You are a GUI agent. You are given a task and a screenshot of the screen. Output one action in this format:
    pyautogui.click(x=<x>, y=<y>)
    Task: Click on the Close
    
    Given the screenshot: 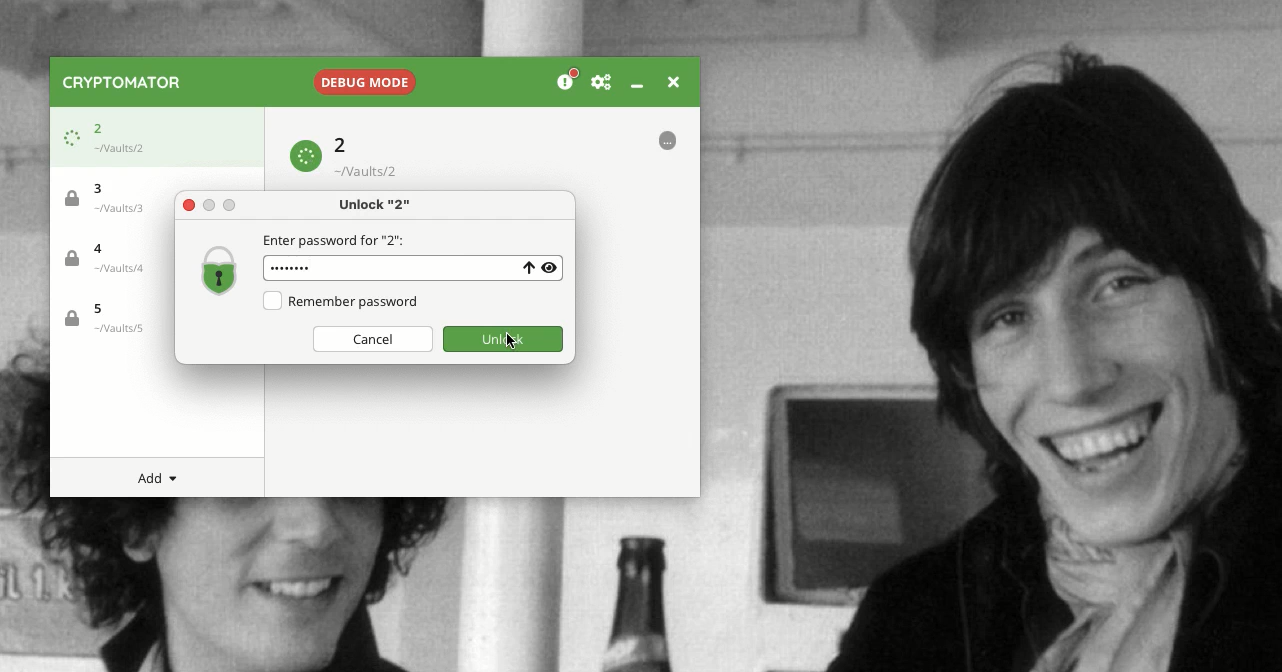 What is the action you would take?
    pyautogui.click(x=188, y=205)
    